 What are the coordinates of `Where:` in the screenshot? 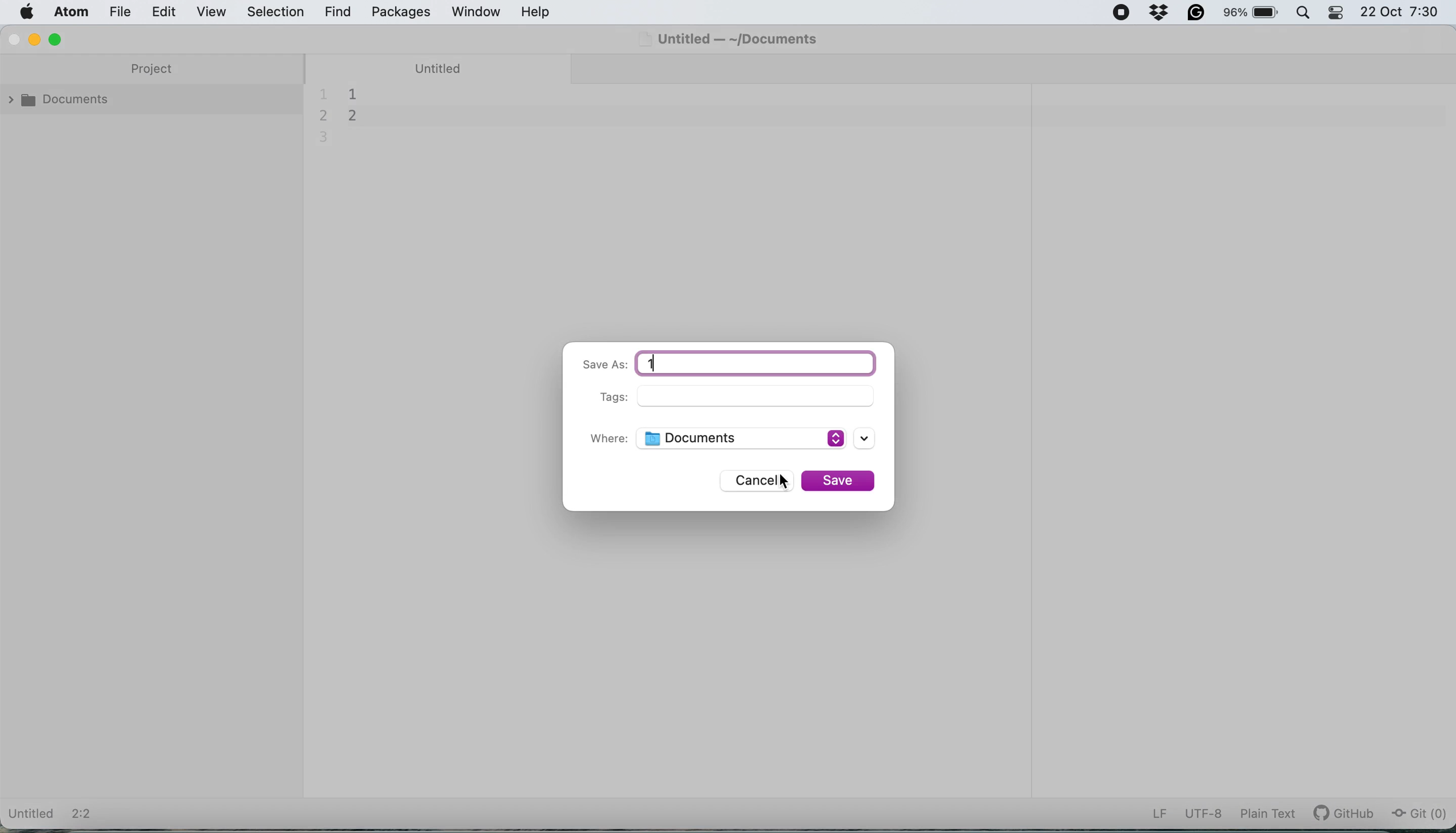 It's located at (609, 440).